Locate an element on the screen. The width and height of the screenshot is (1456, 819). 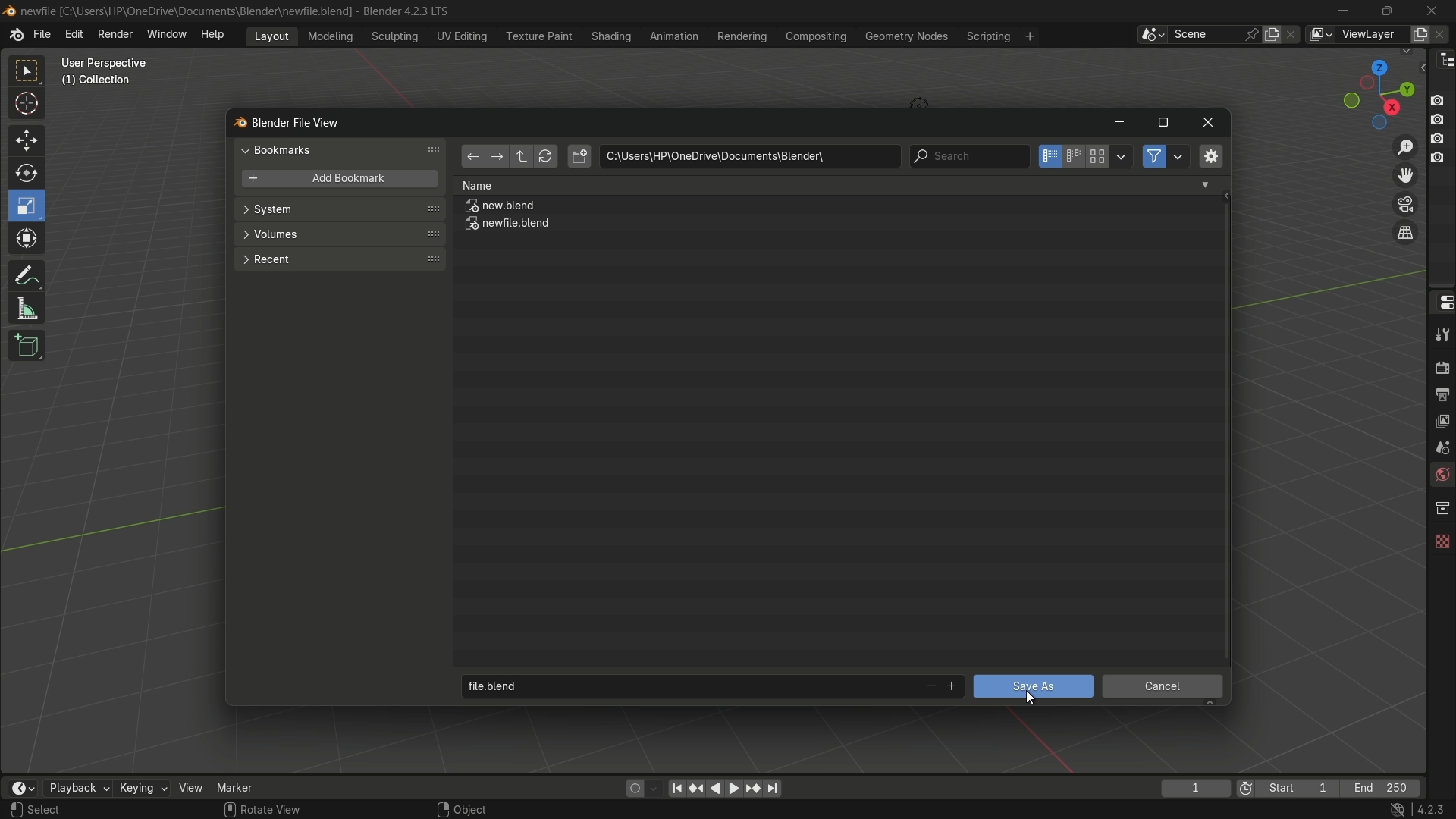
filter files is located at coordinates (1153, 156).